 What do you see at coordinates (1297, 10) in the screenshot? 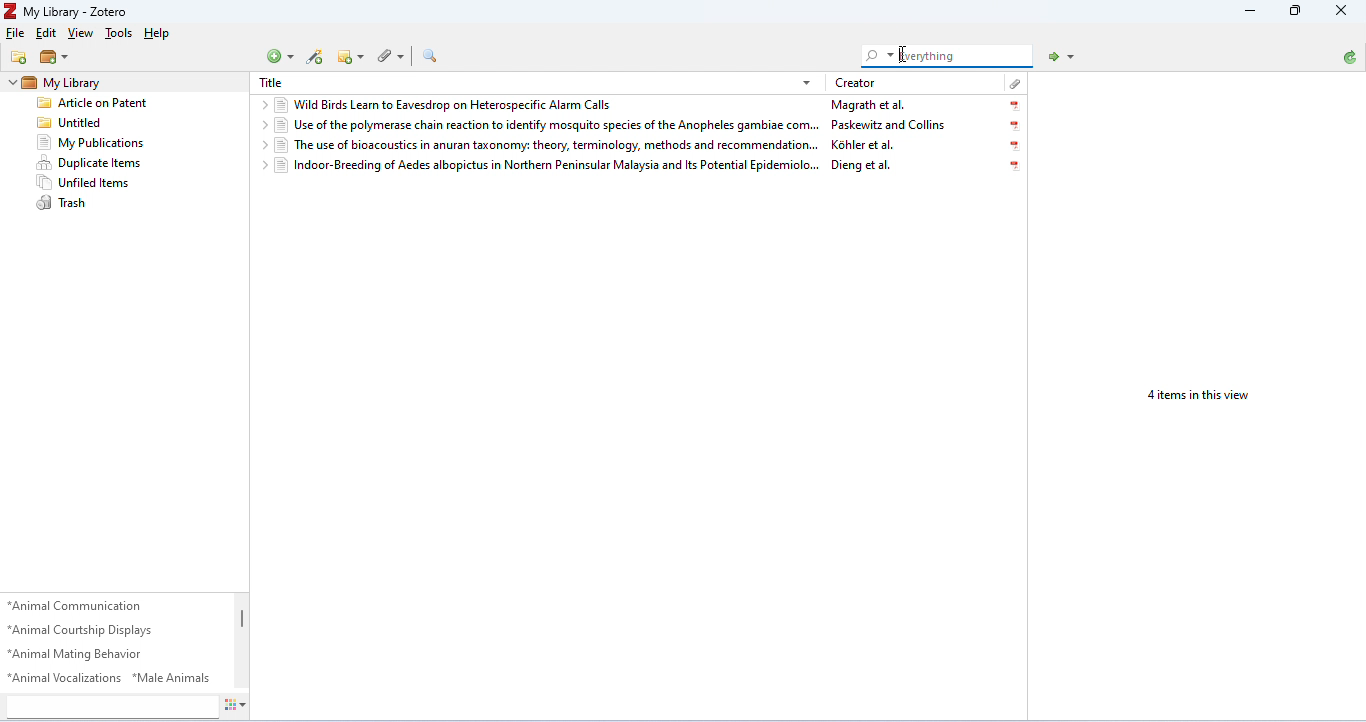
I see `Minimize` at bounding box center [1297, 10].